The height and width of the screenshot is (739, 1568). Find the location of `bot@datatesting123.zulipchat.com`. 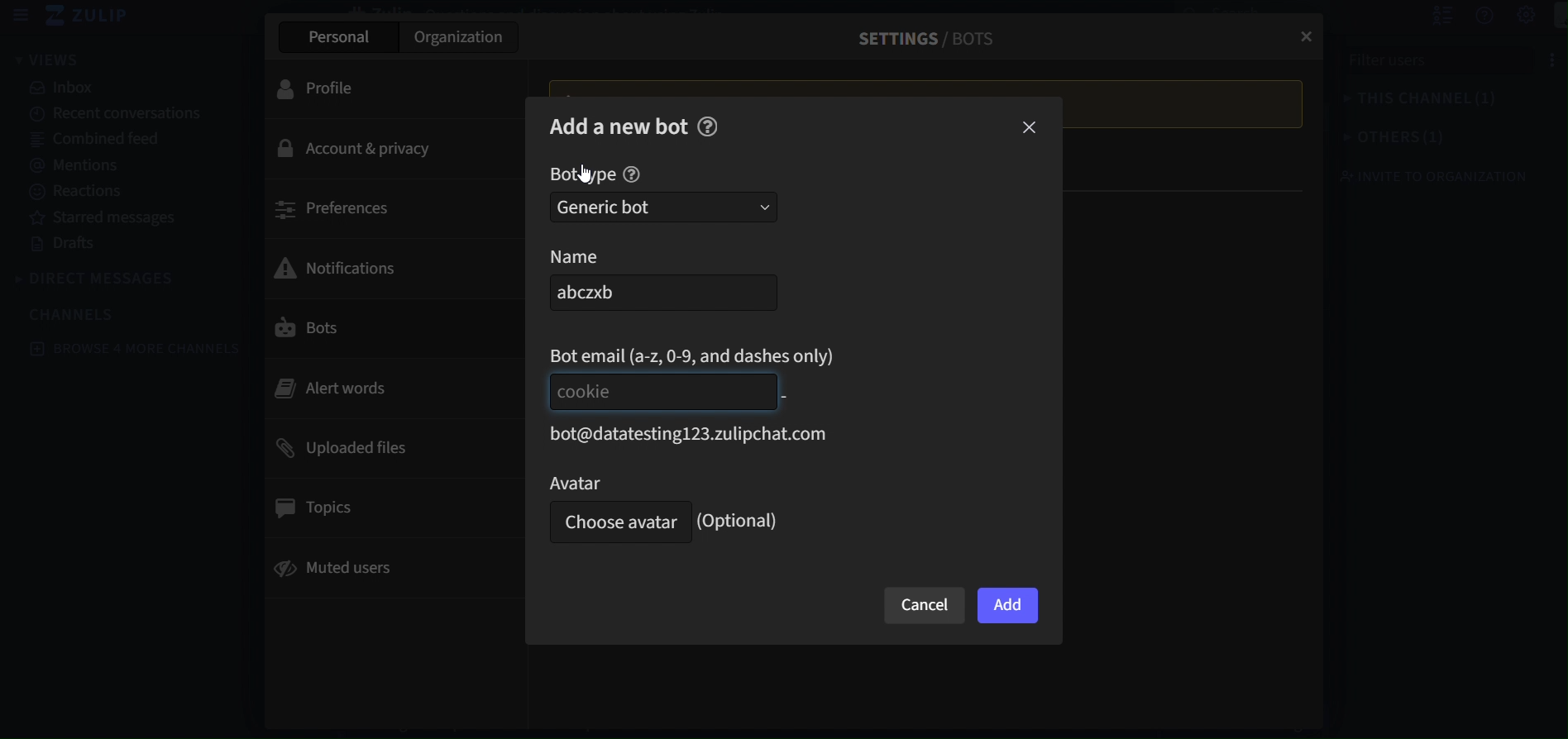

bot@datatesting123.zulipchat.com is located at coordinates (683, 435).